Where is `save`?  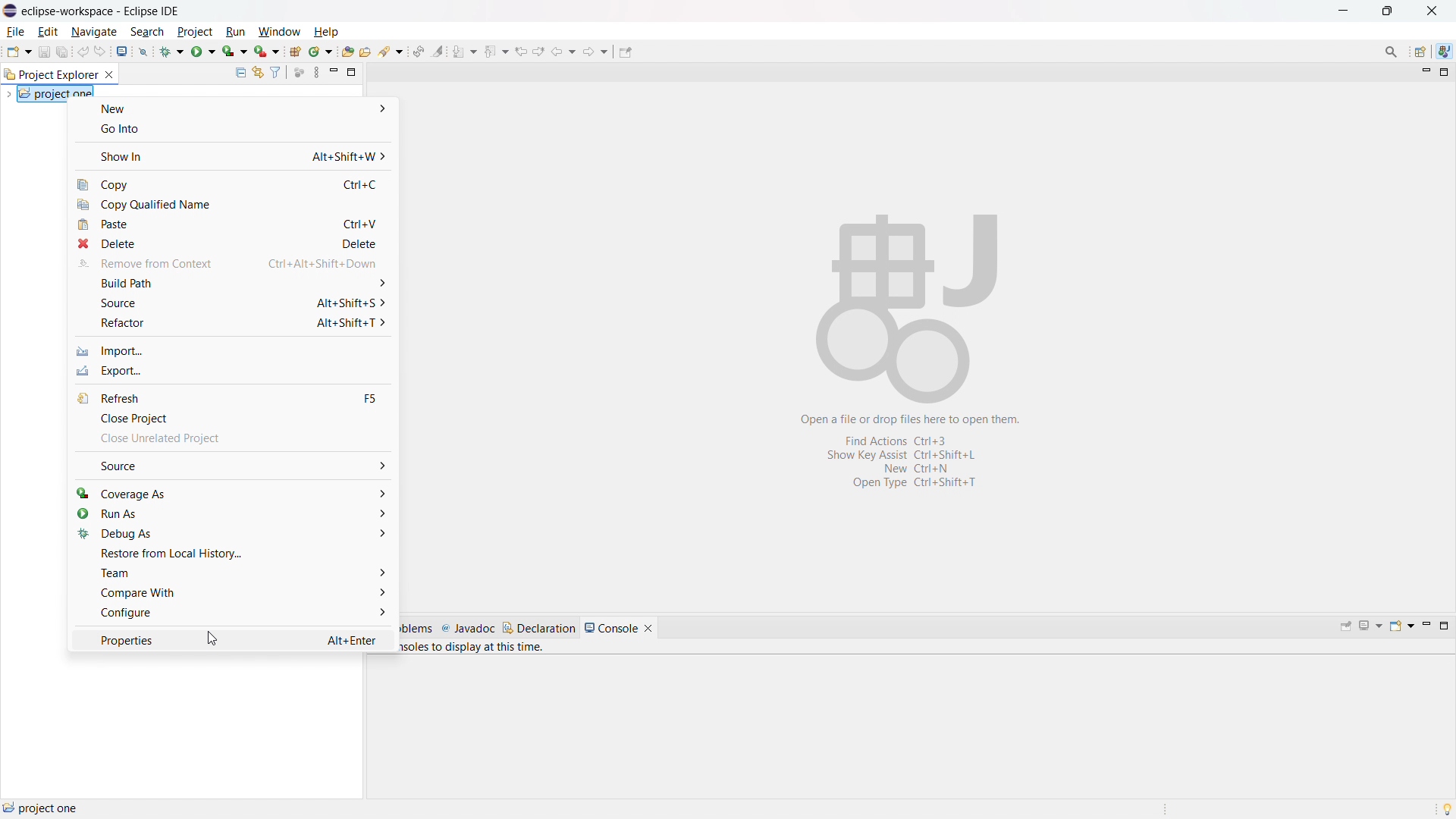 save is located at coordinates (44, 52).